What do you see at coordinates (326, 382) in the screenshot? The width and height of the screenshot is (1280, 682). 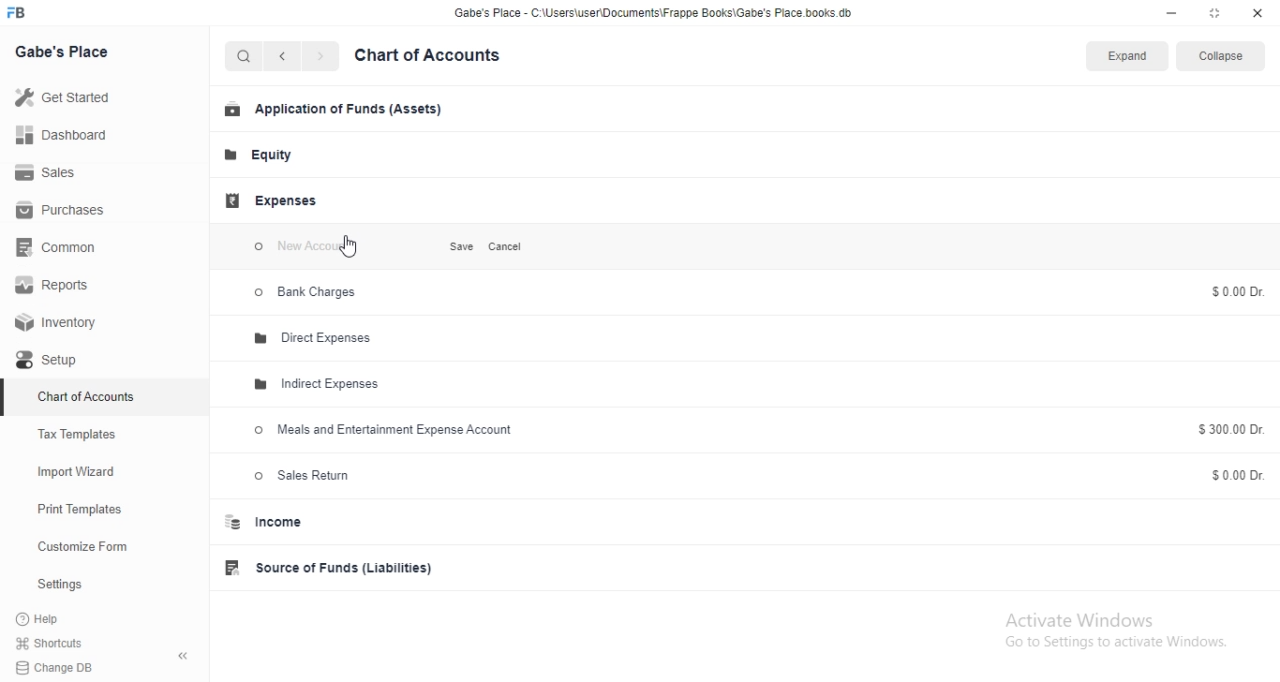 I see `Indirect Expenses` at bounding box center [326, 382].